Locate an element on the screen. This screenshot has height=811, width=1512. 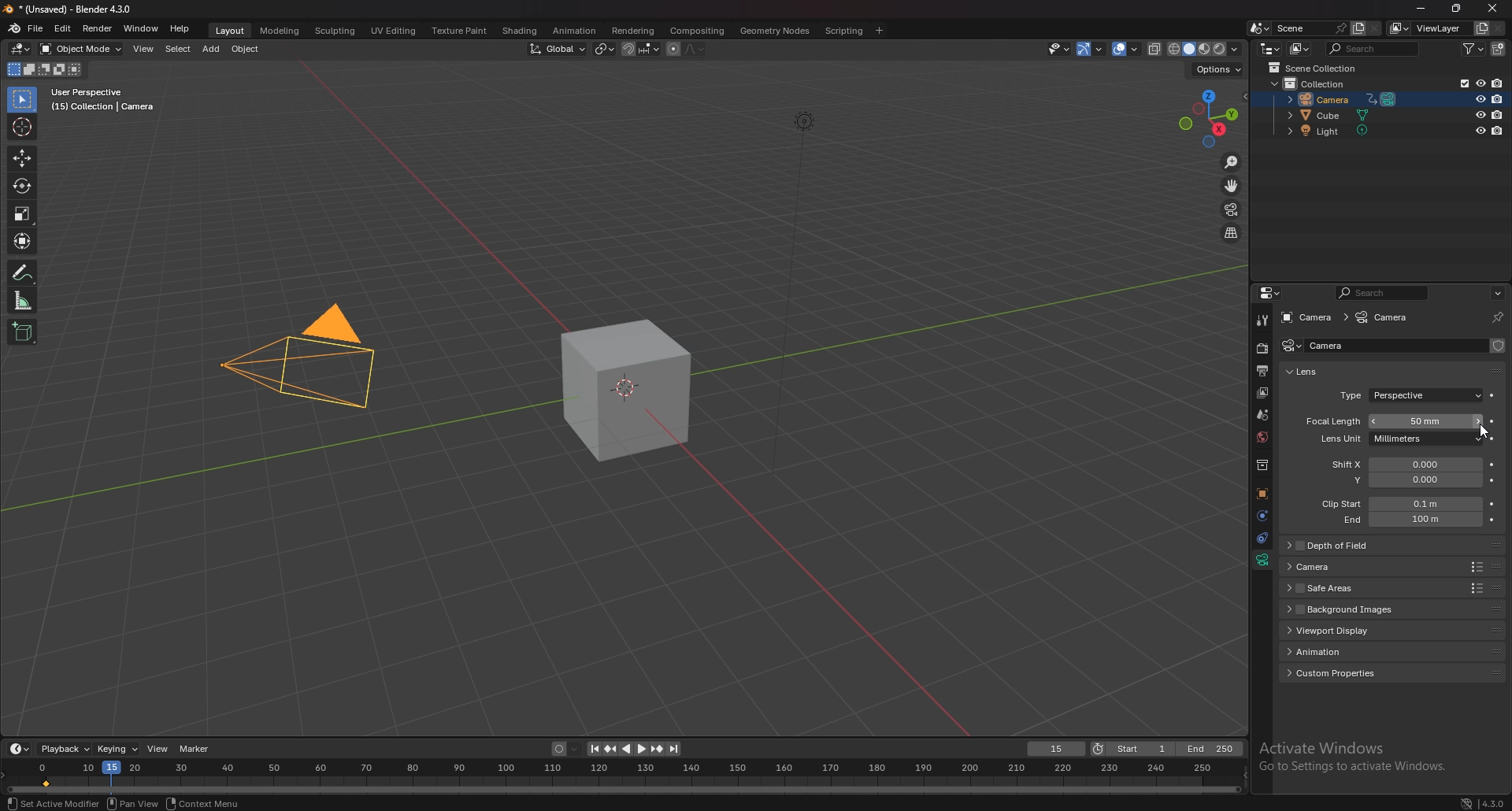
camera is located at coordinates (1338, 98).